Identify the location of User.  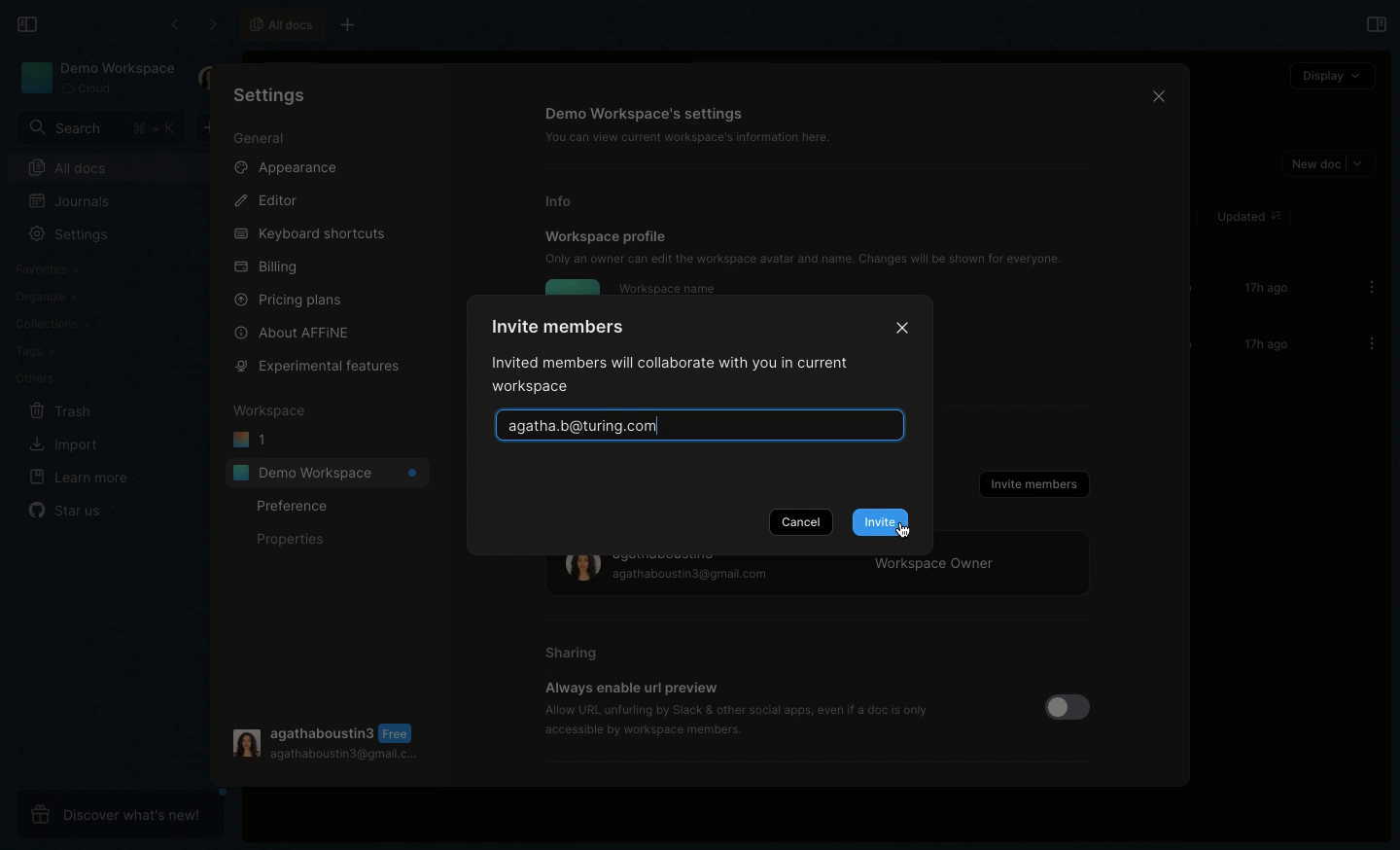
(208, 79).